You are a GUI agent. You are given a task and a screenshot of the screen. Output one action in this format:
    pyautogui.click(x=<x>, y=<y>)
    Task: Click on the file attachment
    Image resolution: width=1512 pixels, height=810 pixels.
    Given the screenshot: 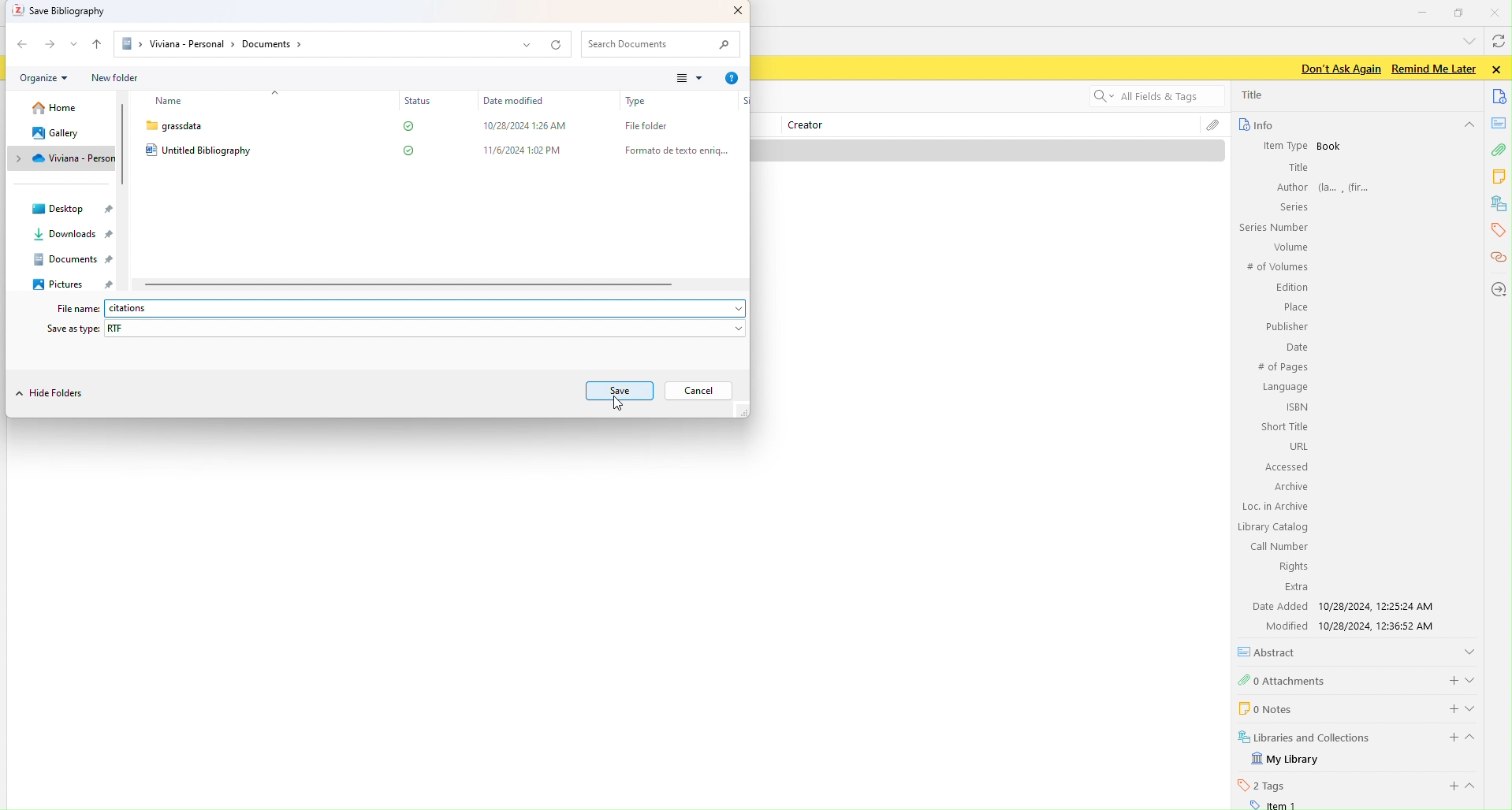 What is the action you would take?
    pyautogui.click(x=1212, y=127)
    